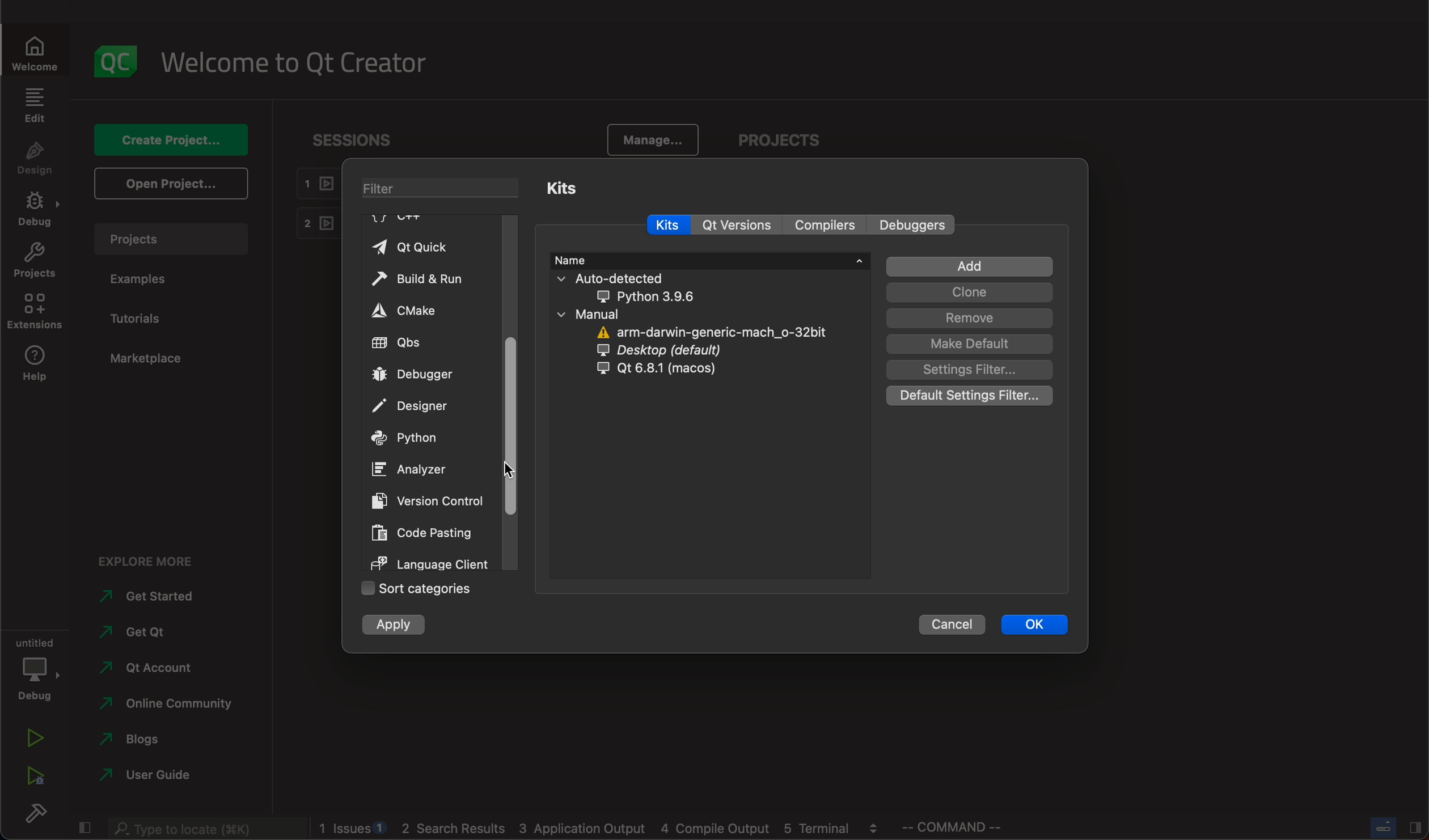 The width and height of the screenshot is (1429, 840). What do you see at coordinates (971, 266) in the screenshot?
I see `add` at bounding box center [971, 266].